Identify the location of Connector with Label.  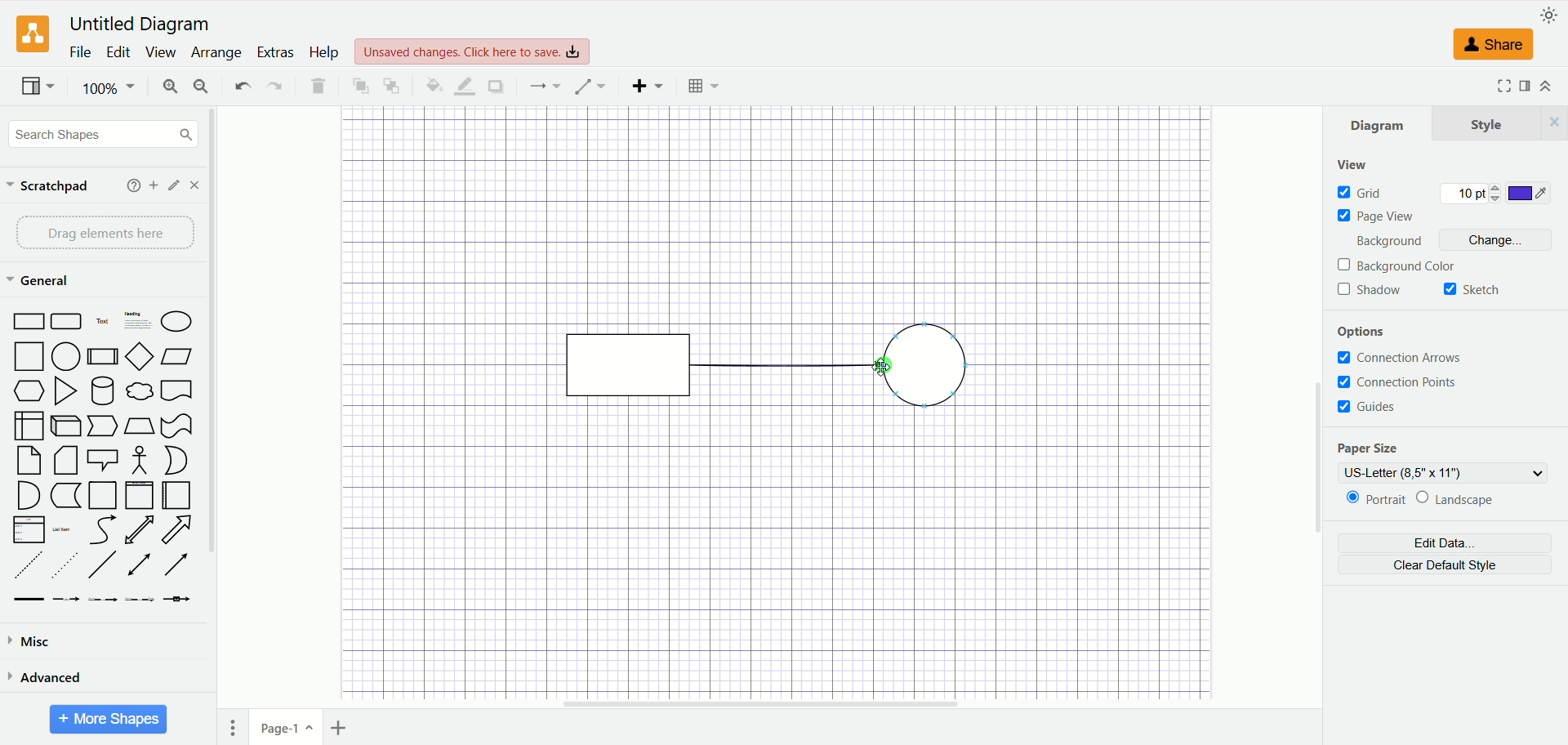
(67, 603).